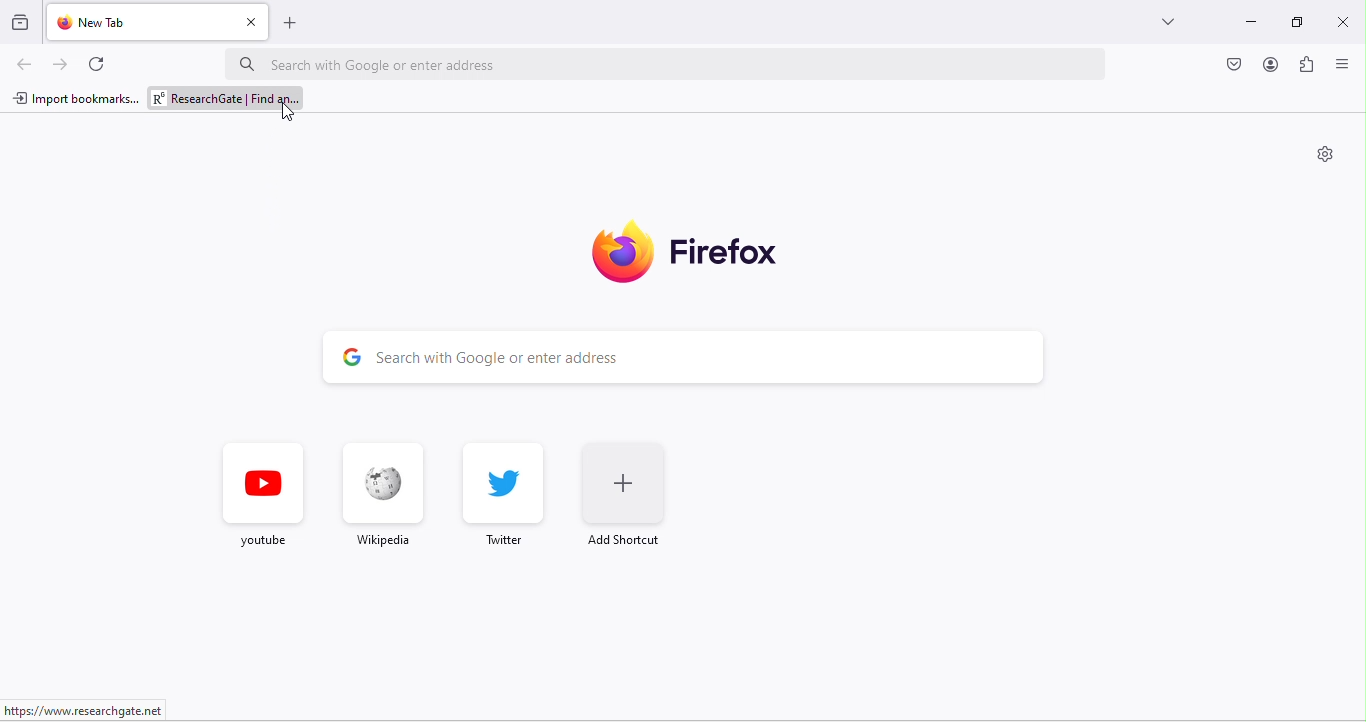  I want to click on cursor, so click(291, 112).